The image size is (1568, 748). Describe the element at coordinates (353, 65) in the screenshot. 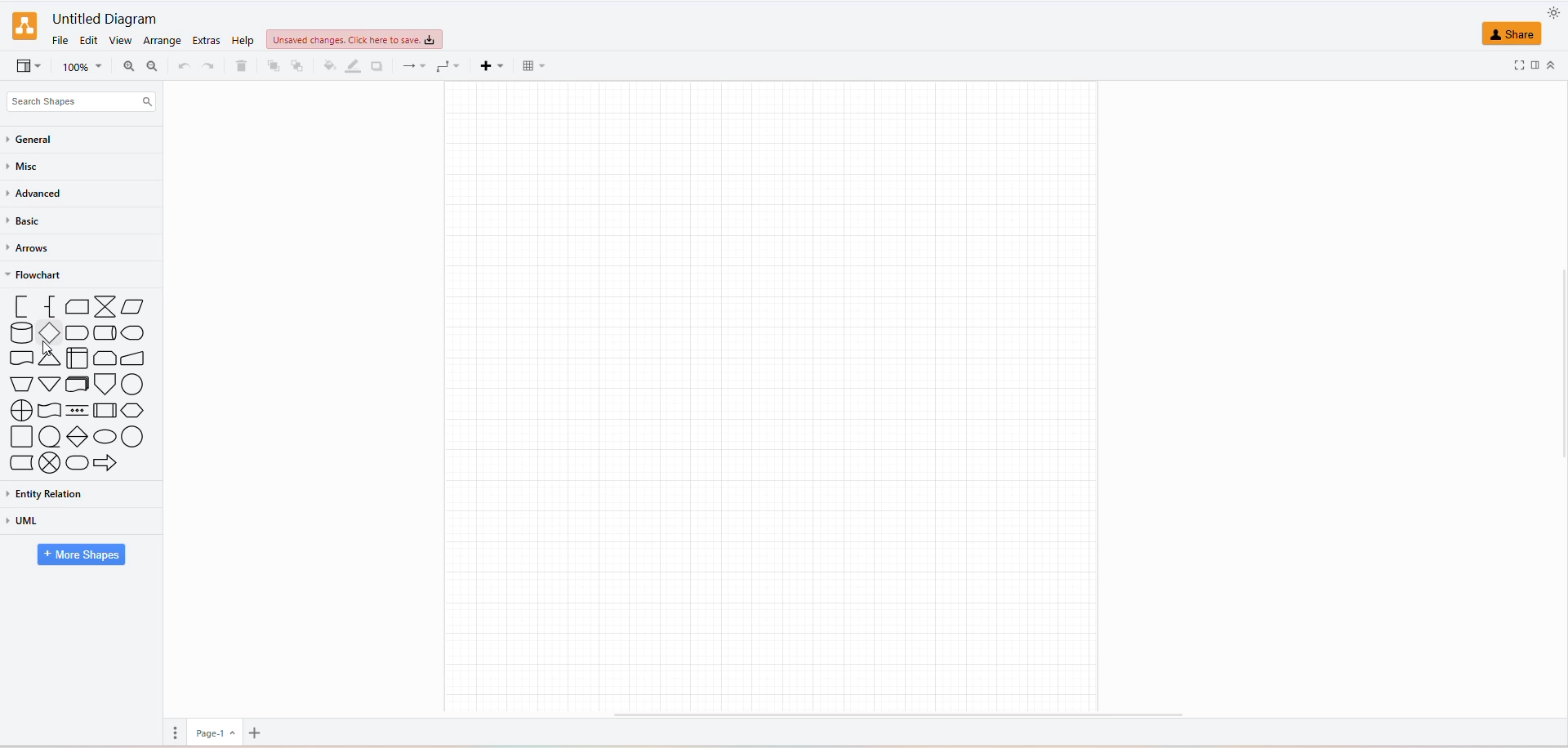

I see `LINE COLOR` at that location.